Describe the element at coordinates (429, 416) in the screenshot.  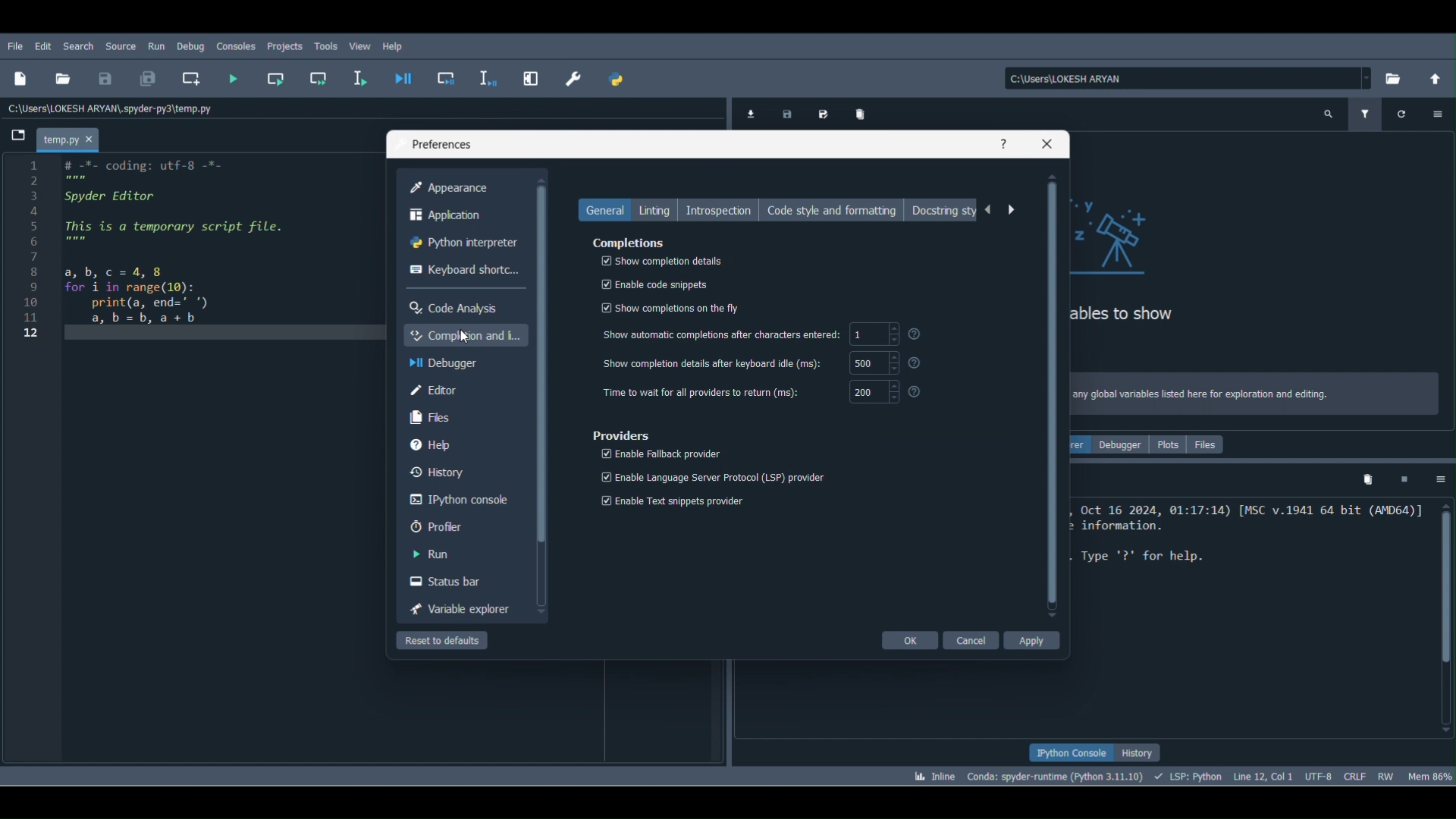
I see `Files` at that location.